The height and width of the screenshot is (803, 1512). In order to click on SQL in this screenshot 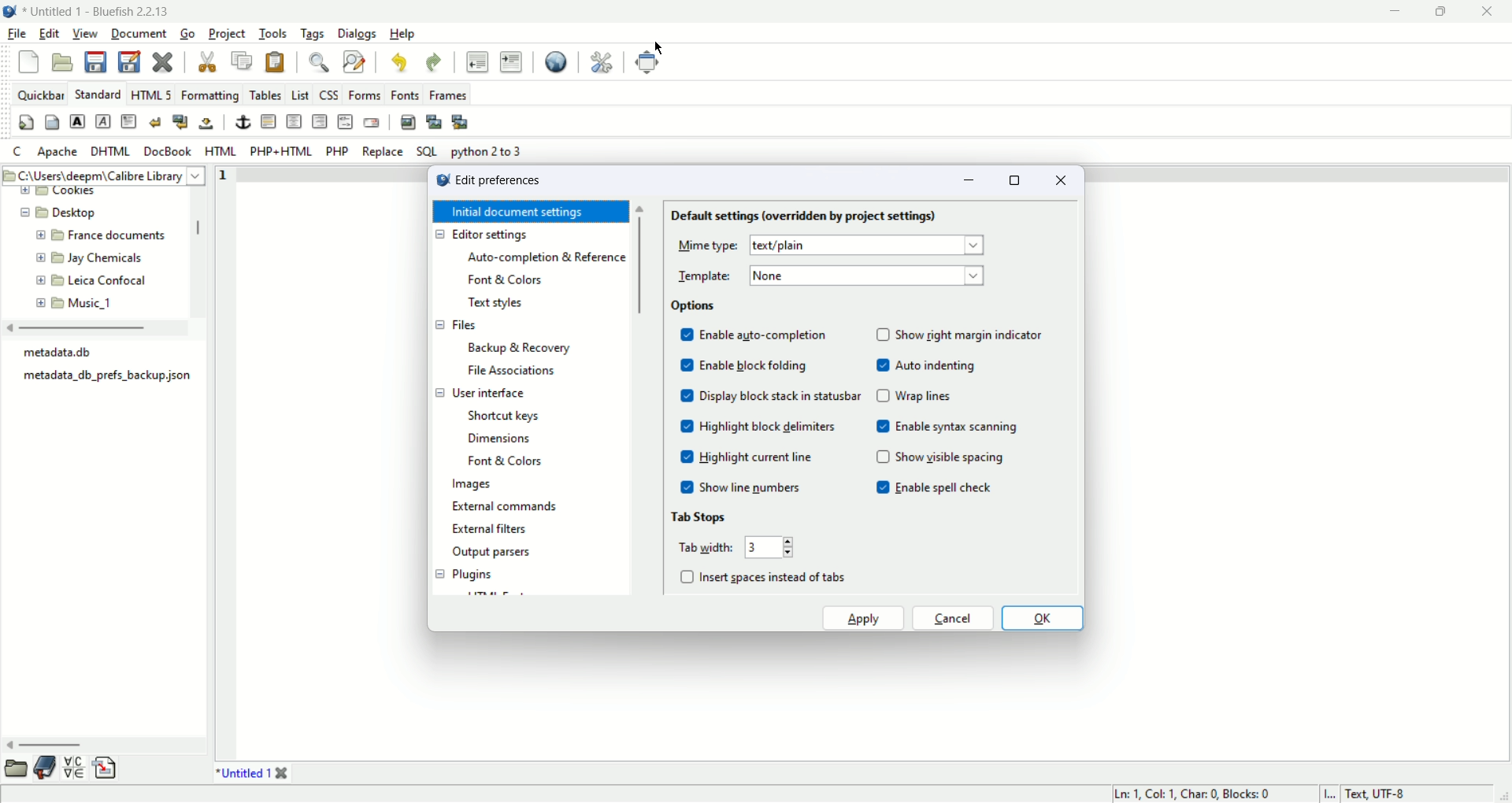, I will do `click(428, 153)`.